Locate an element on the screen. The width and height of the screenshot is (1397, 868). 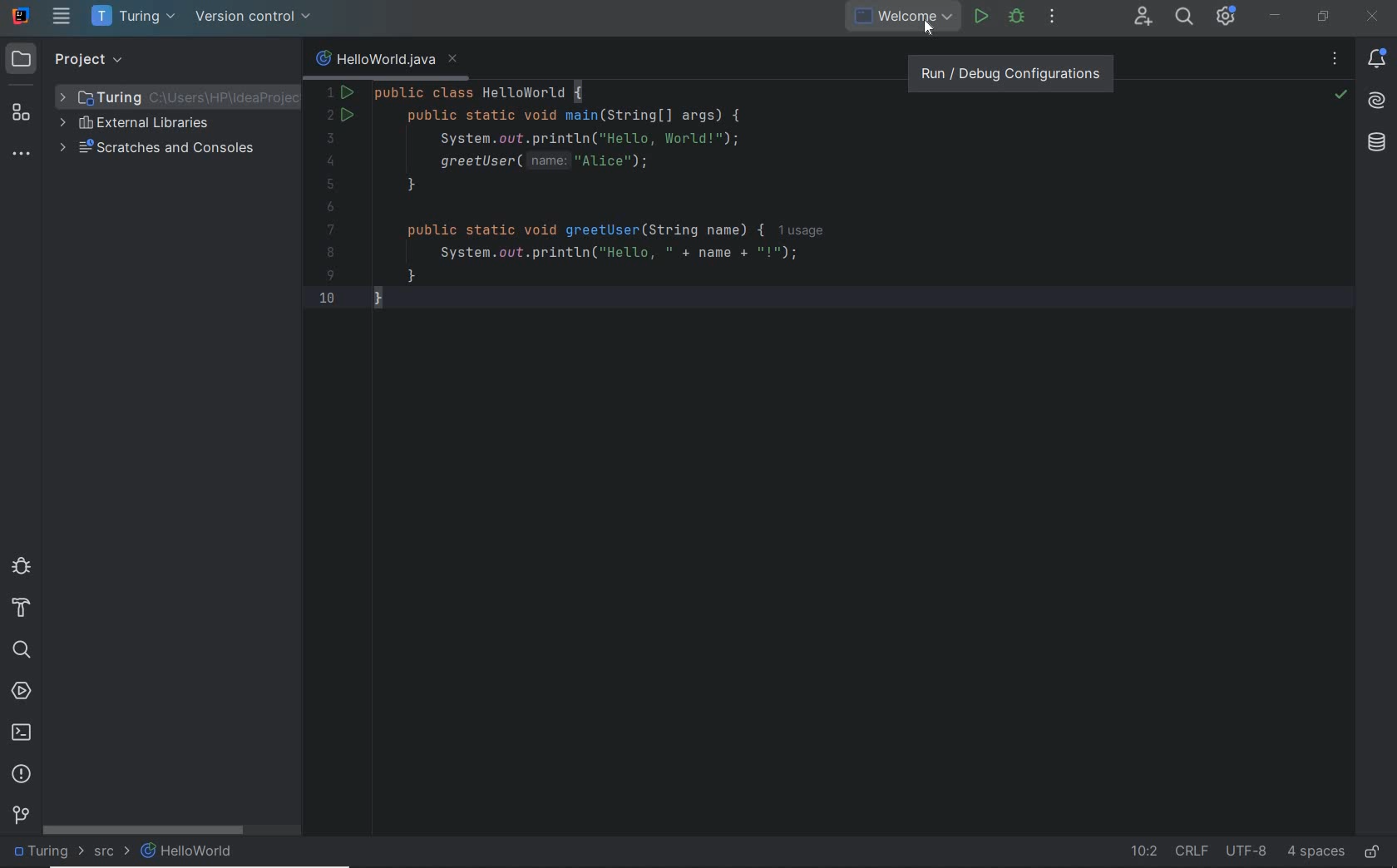
no problems highlighted is located at coordinates (1340, 95).